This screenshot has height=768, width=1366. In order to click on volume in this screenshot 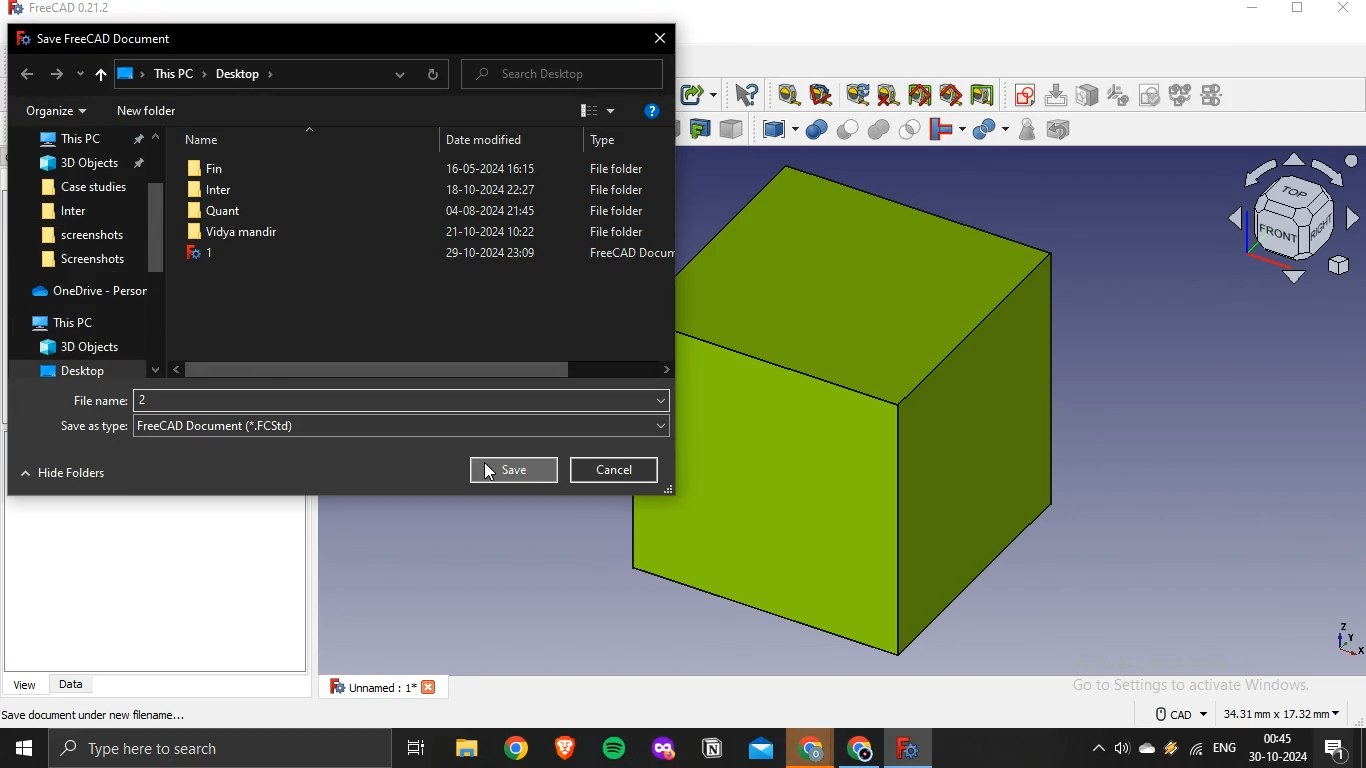, I will do `click(1121, 749)`.